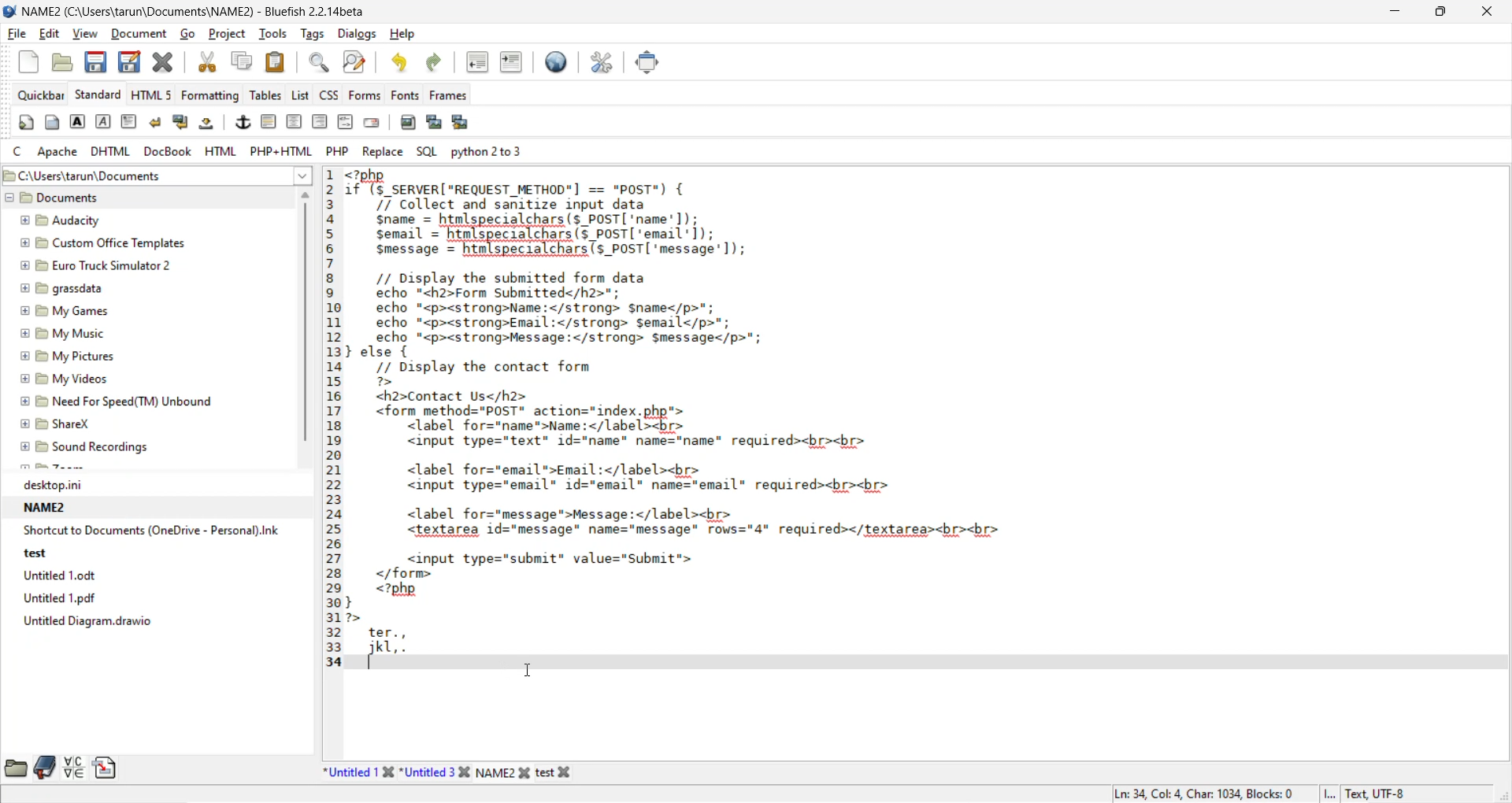  Describe the element at coordinates (65, 335) in the screenshot. I see `My Music` at that location.